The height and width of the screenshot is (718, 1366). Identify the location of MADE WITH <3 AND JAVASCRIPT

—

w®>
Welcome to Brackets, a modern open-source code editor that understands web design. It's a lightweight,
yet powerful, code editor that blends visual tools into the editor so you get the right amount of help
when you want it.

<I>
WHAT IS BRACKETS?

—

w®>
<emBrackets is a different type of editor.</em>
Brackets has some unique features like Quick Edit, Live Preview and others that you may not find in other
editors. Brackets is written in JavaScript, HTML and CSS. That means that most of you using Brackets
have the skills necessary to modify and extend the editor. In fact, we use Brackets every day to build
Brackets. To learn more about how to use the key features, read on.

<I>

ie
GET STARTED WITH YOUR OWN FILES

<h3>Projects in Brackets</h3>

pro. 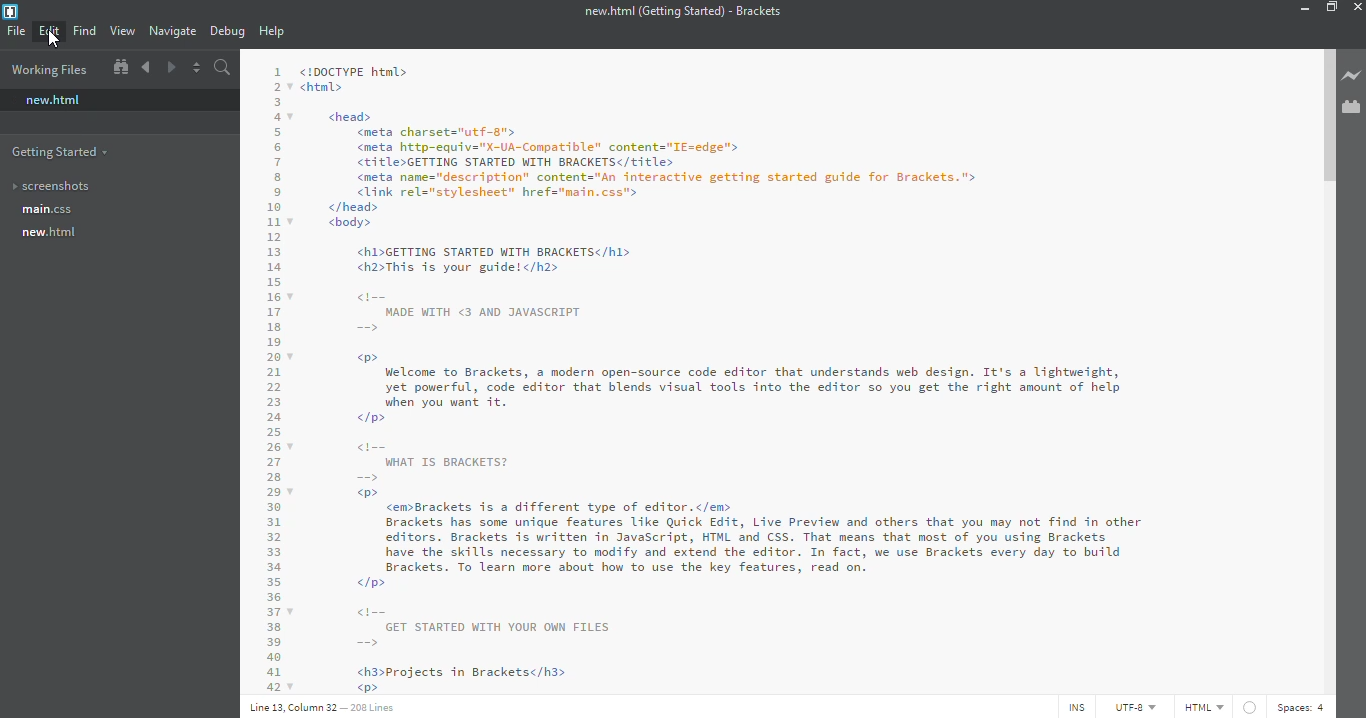
(765, 490).